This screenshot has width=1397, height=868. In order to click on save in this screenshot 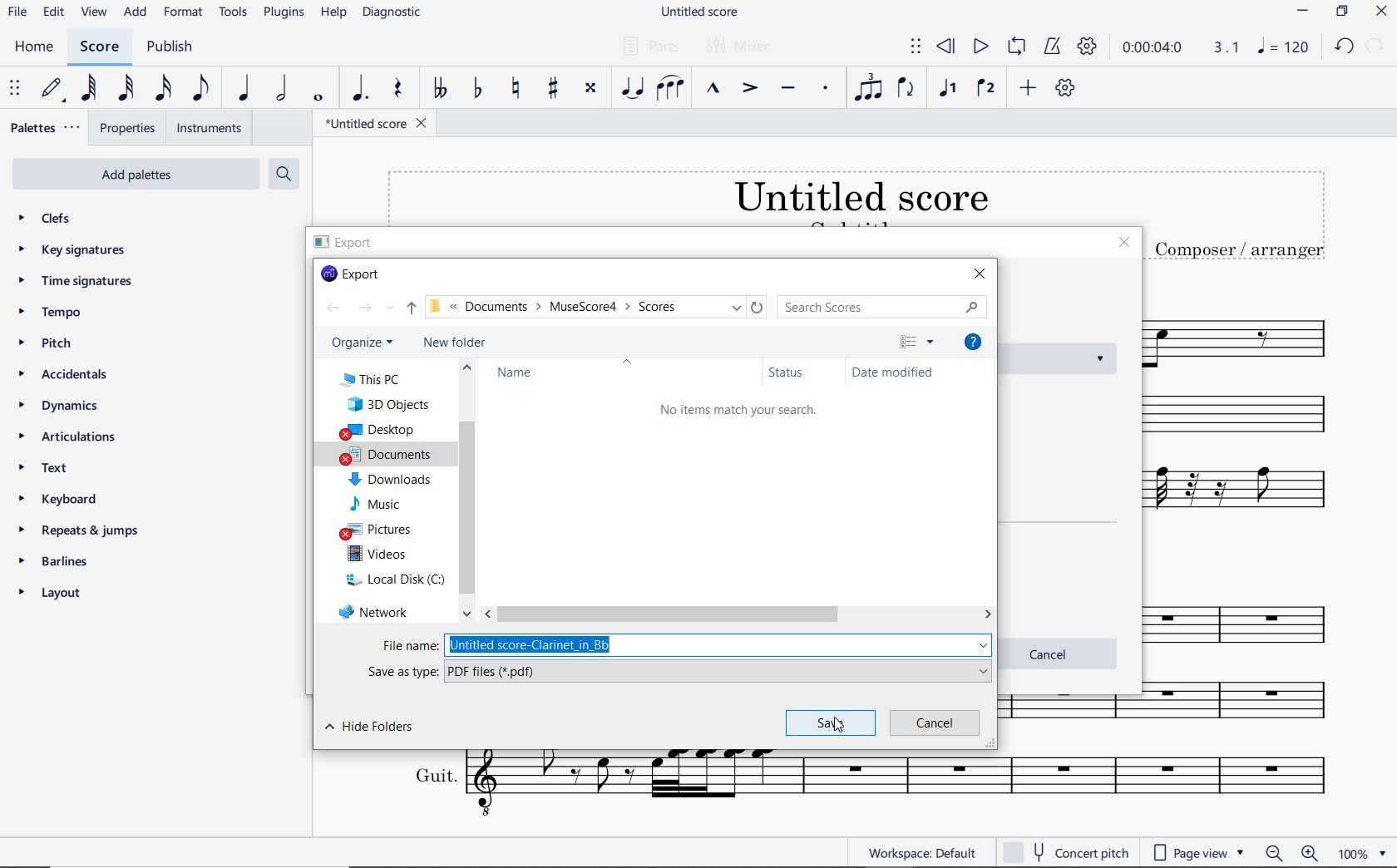, I will do `click(830, 723)`.